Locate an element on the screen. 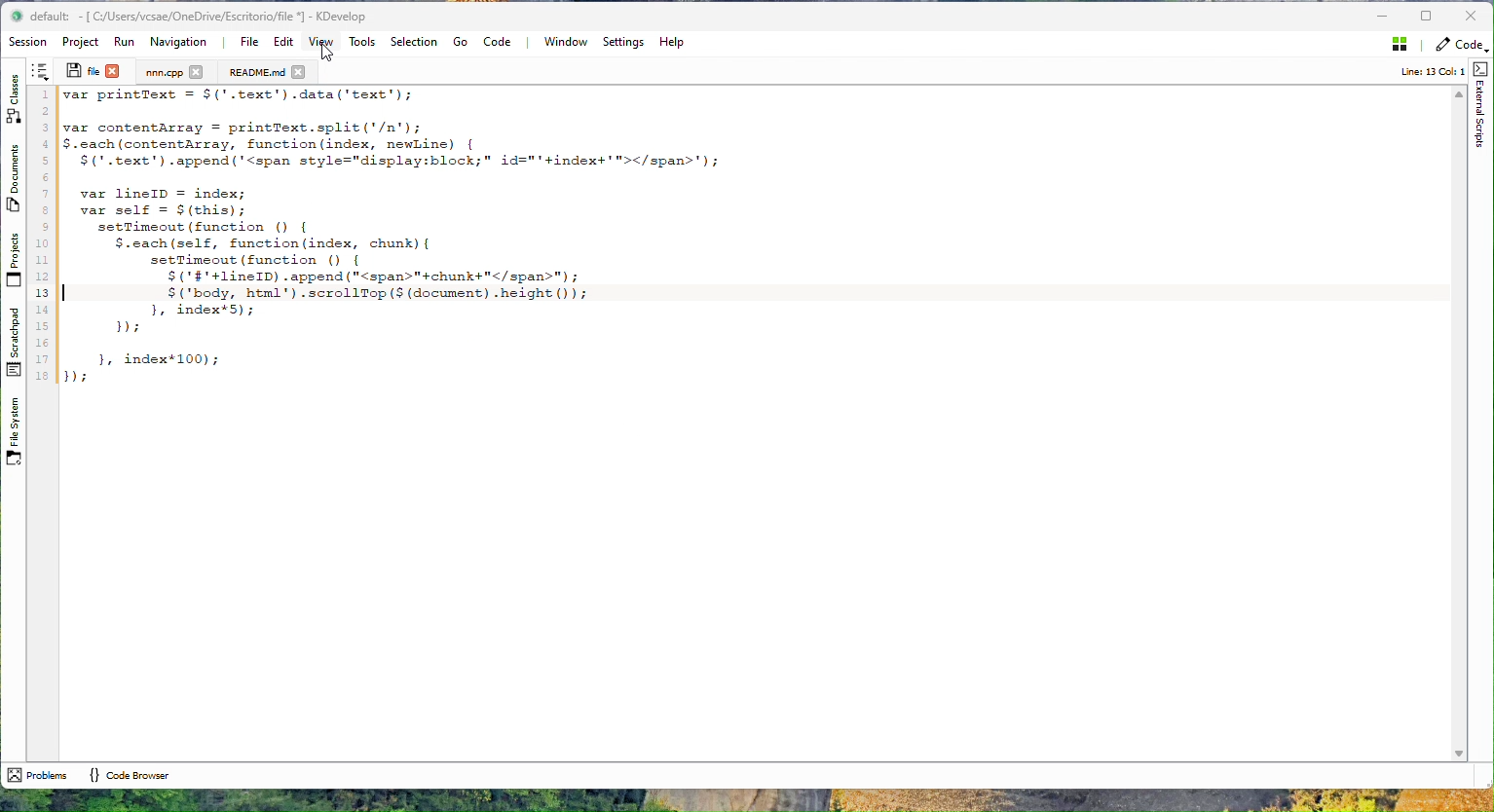 The image size is (1494, 812). Code is located at coordinates (501, 41).